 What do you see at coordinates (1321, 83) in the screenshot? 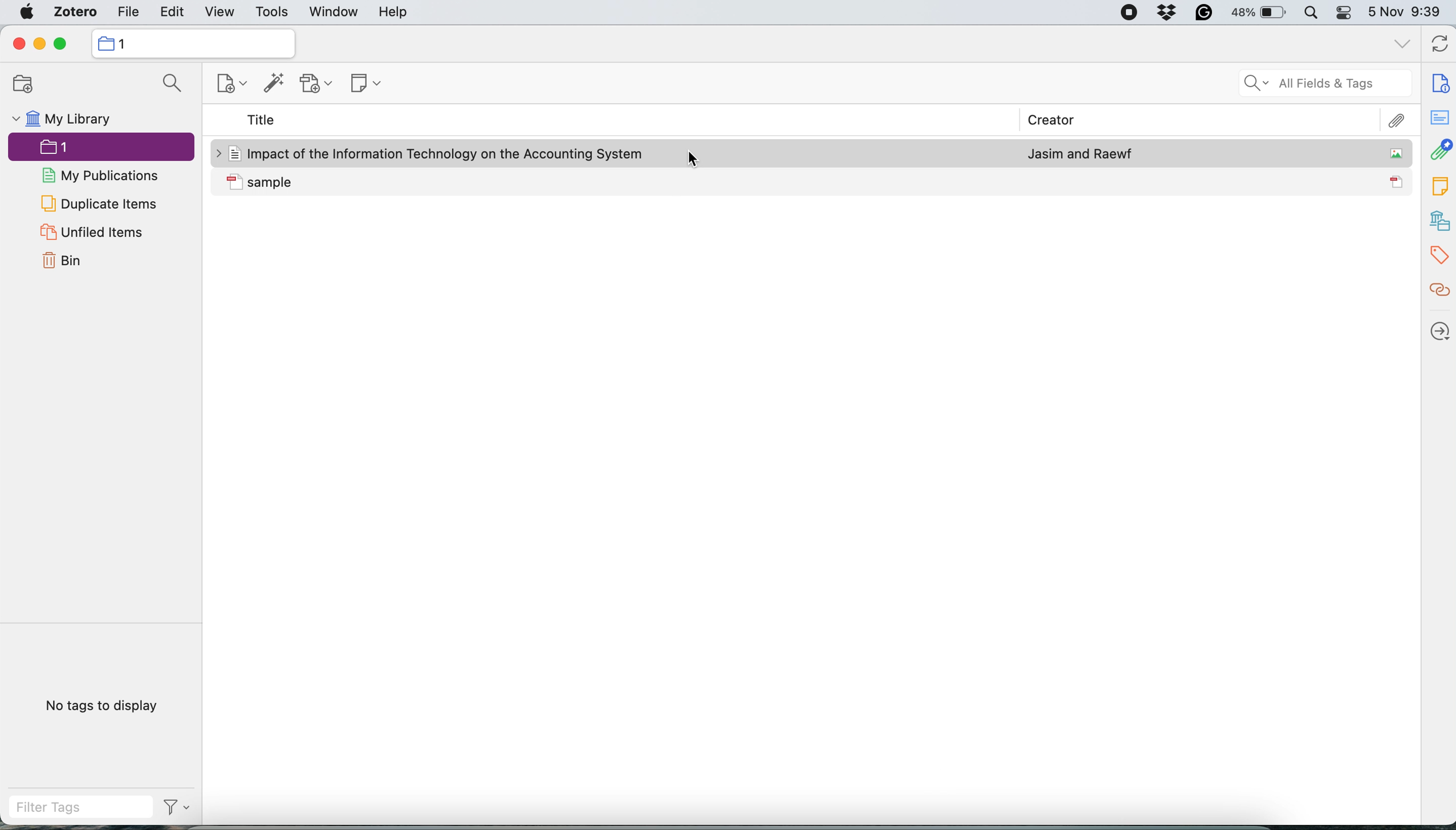
I see `all fields and tags` at bounding box center [1321, 83].